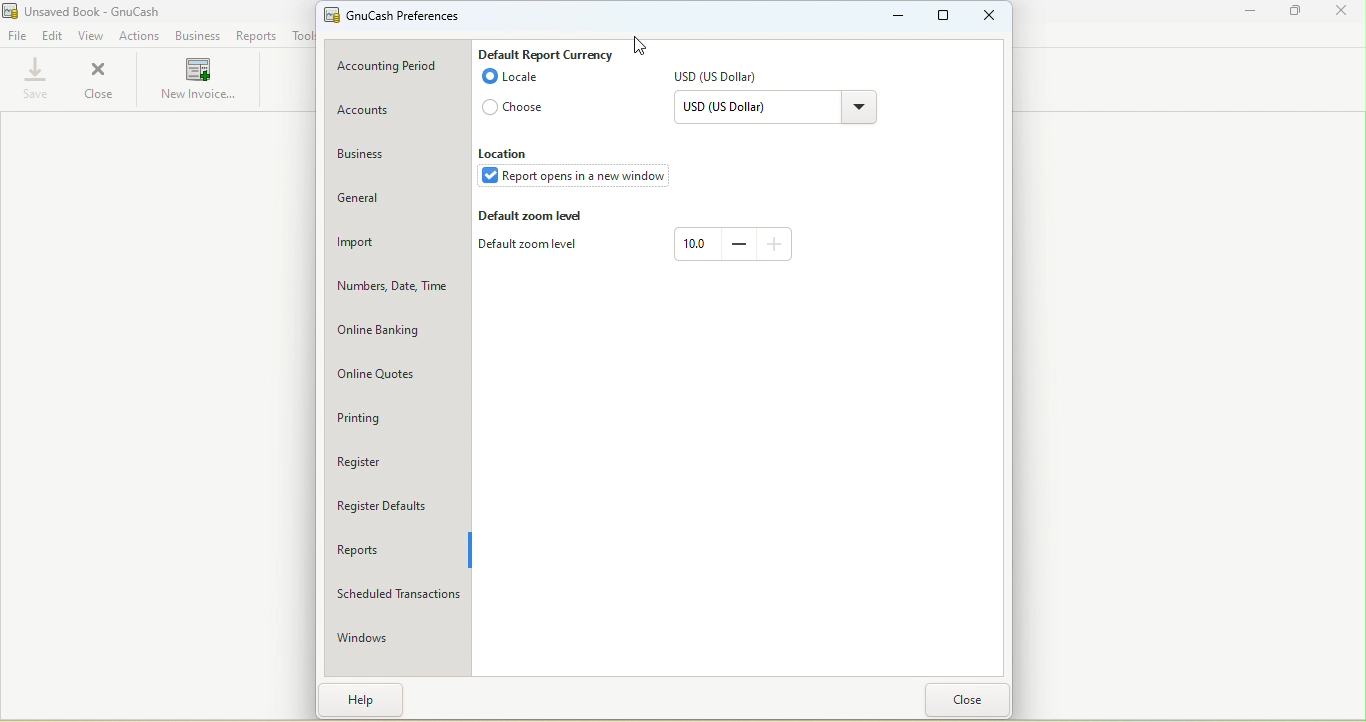 This screenshot has width=1366, height=722. I want to click on File, so click(17, 37).